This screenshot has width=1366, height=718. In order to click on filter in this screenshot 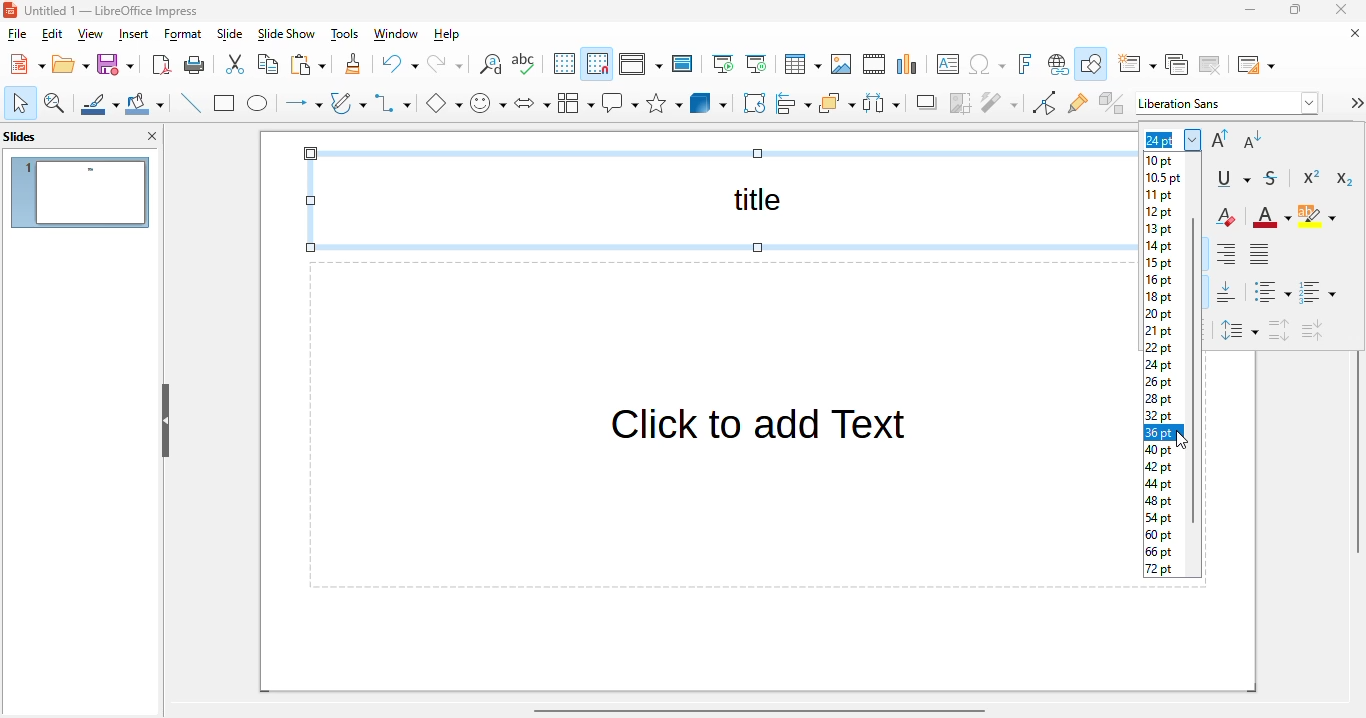, I will do `click(1000, 103)`.